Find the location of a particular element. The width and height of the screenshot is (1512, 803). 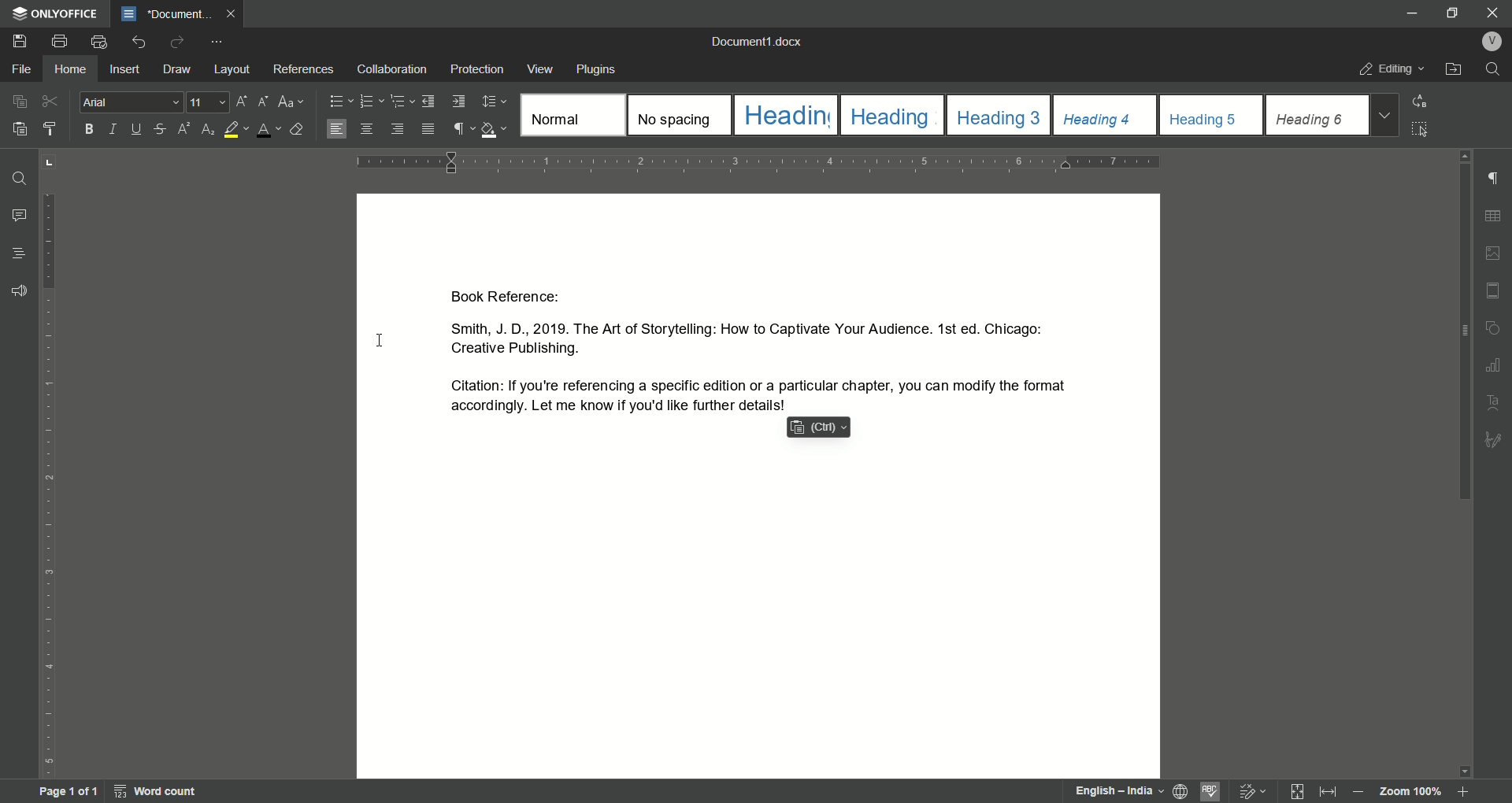

text language is located at coordinates (1099, 790).